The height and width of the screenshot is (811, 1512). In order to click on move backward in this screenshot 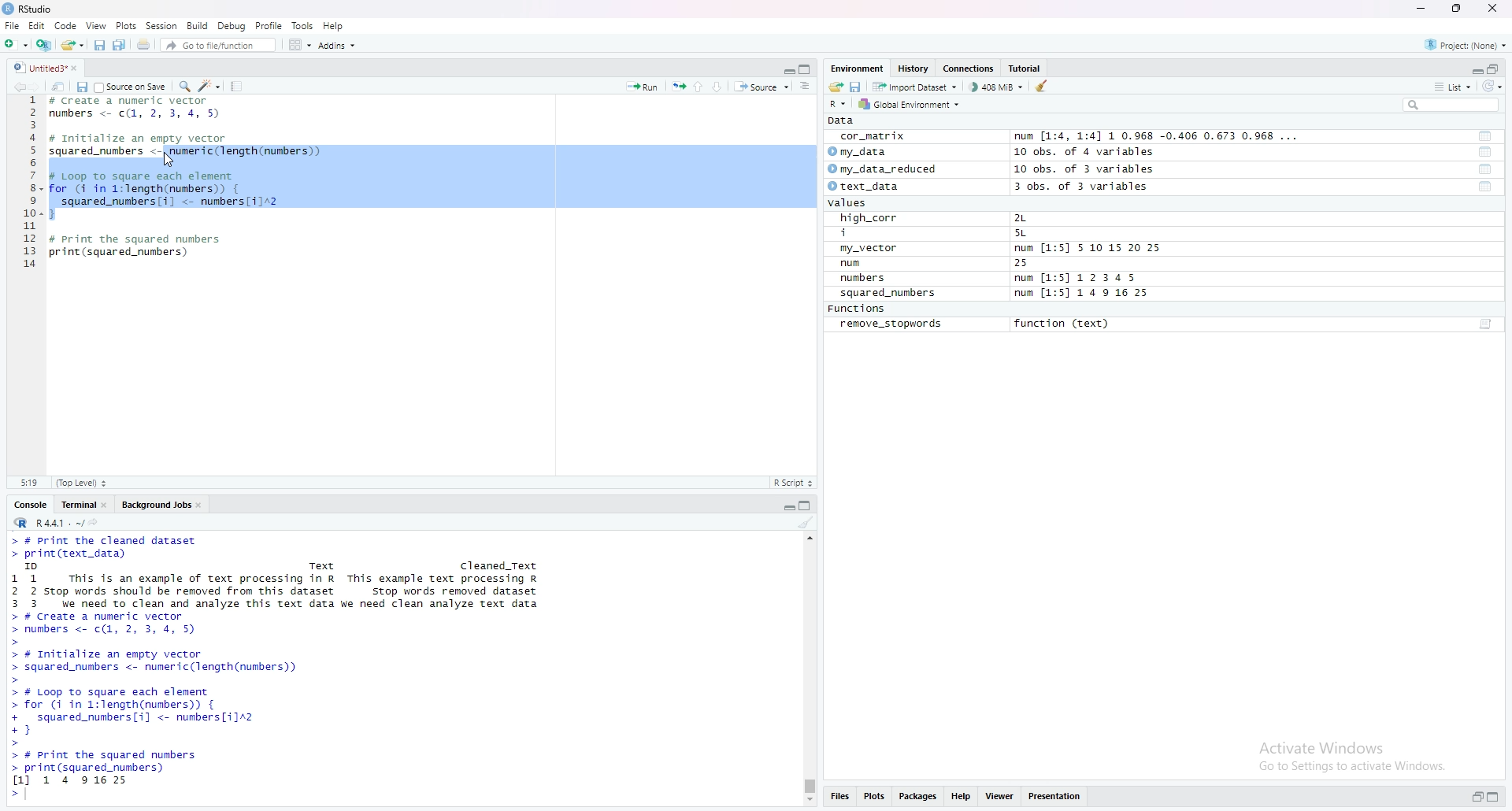, I will do `click(19, 85)`.